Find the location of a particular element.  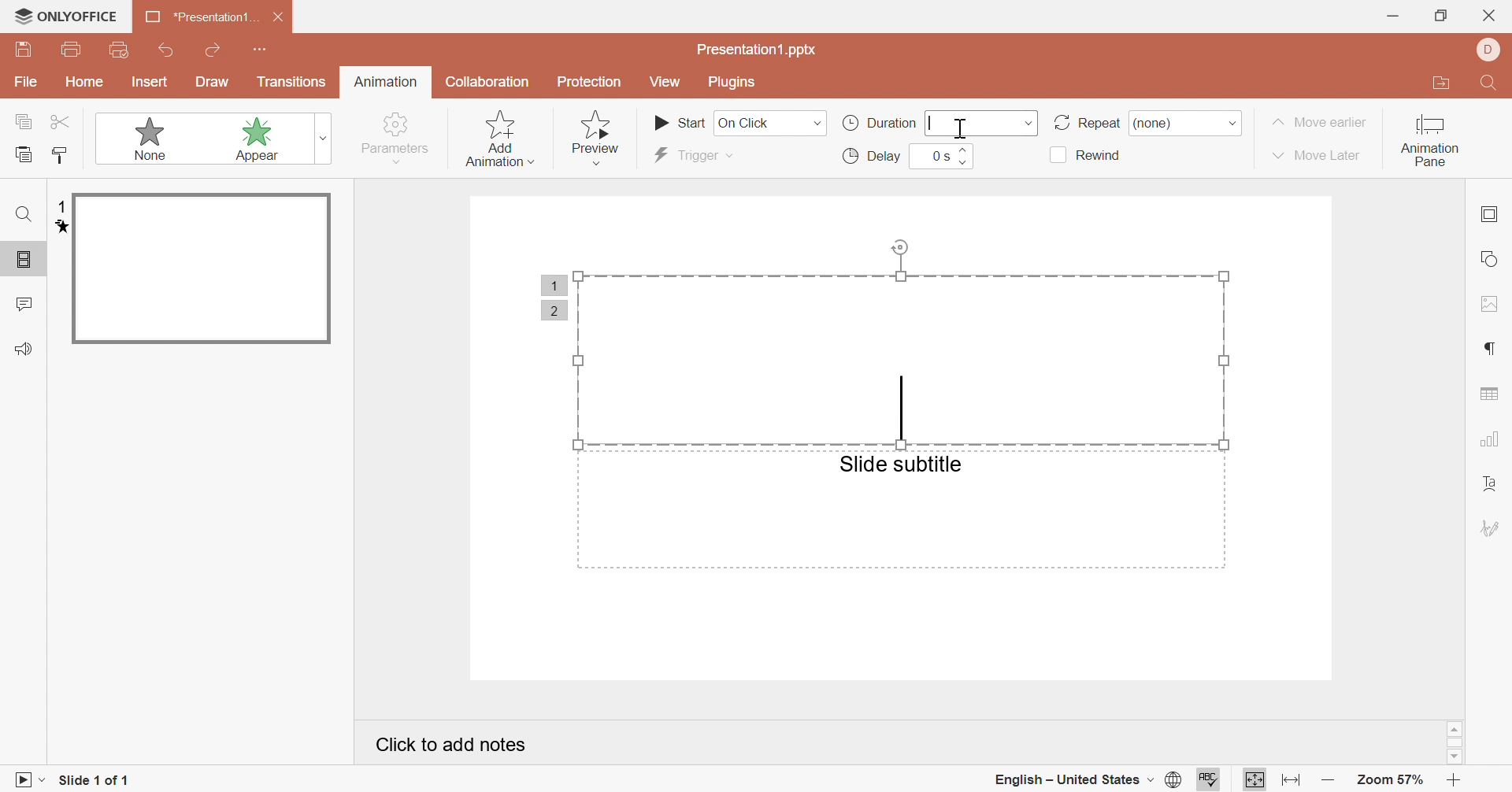

transitions is located at coordinates (291, 83).